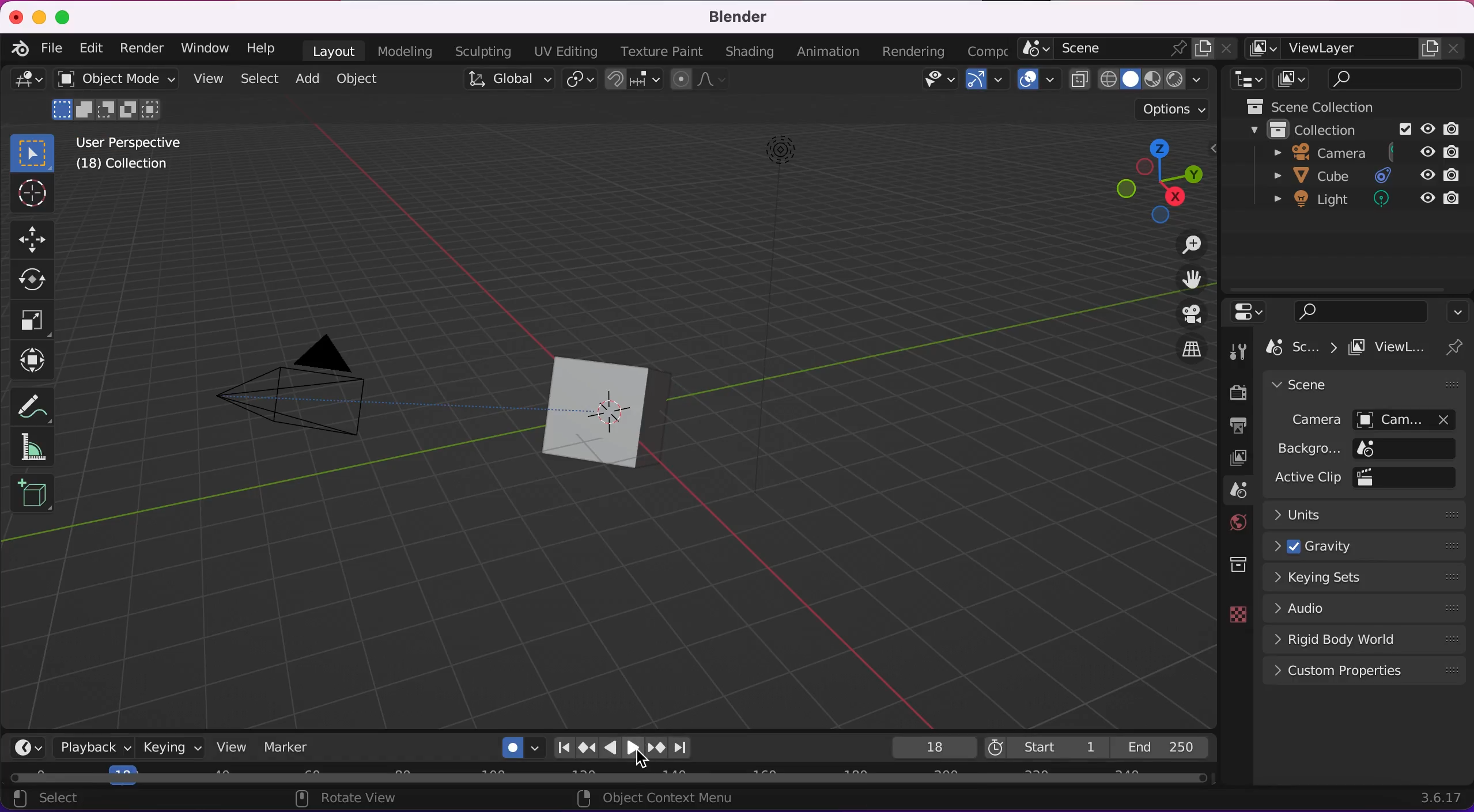  Describe the element at coordinates (1454, 348) in the screenshot. I see `pin` at that location.